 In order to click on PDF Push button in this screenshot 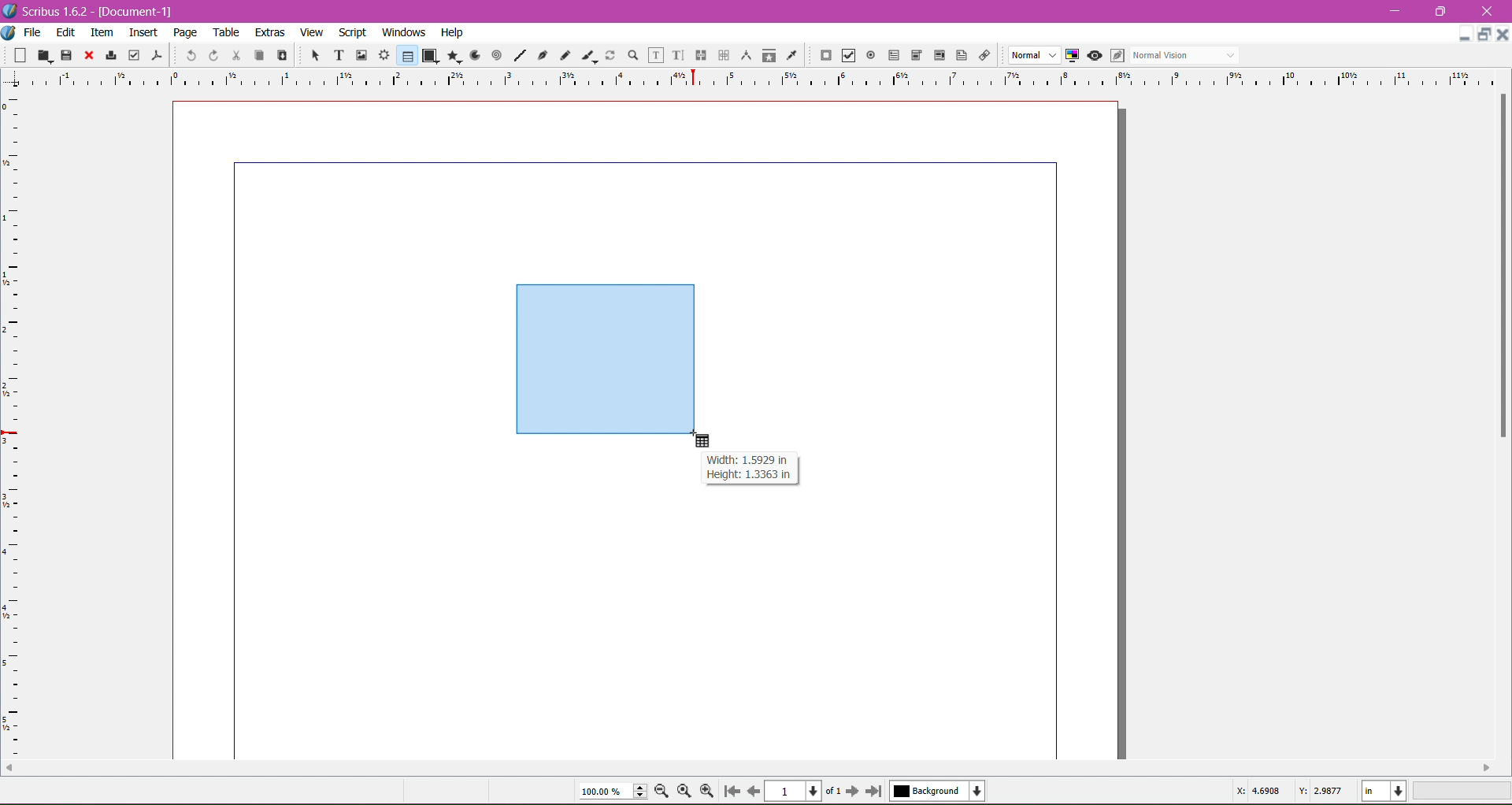, I will do `click(824, 56)`.